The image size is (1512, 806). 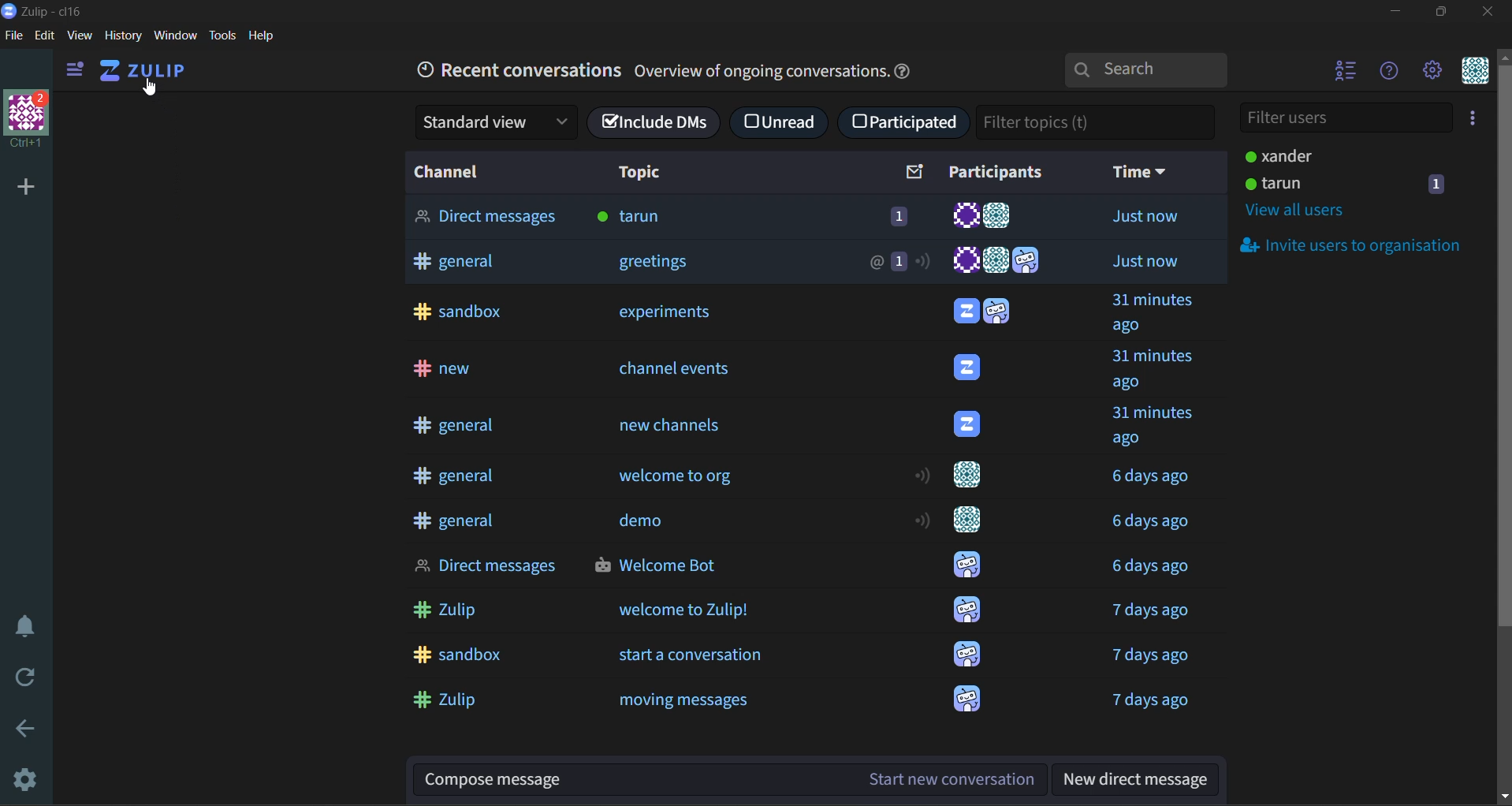 What do you see at coordinates (907, 121) in the screenshot?
I see `participated` at bounding box center [907, 121].